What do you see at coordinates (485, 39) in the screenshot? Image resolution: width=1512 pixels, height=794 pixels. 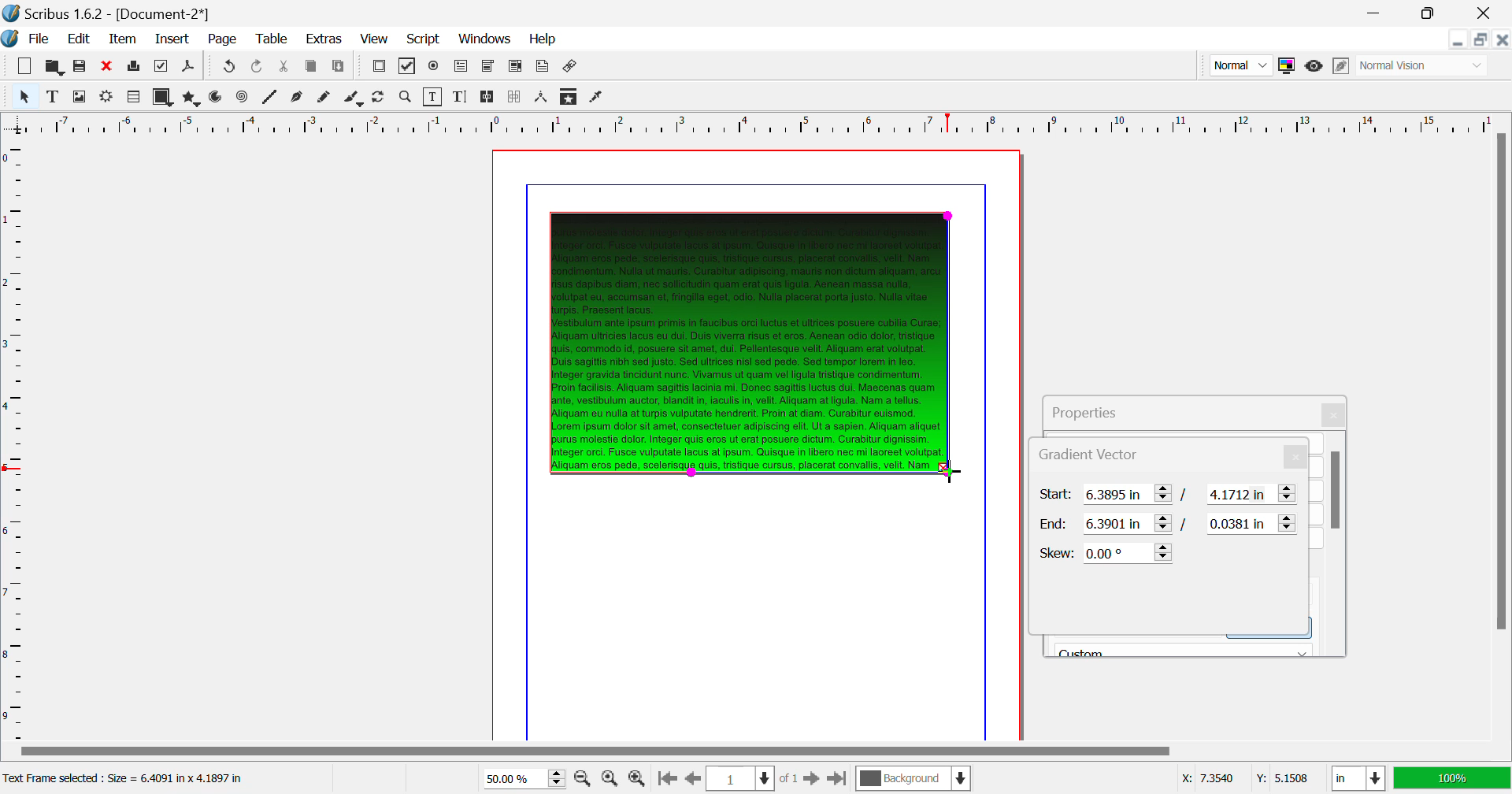 I see `Windows` at bounding box center [485, 39].